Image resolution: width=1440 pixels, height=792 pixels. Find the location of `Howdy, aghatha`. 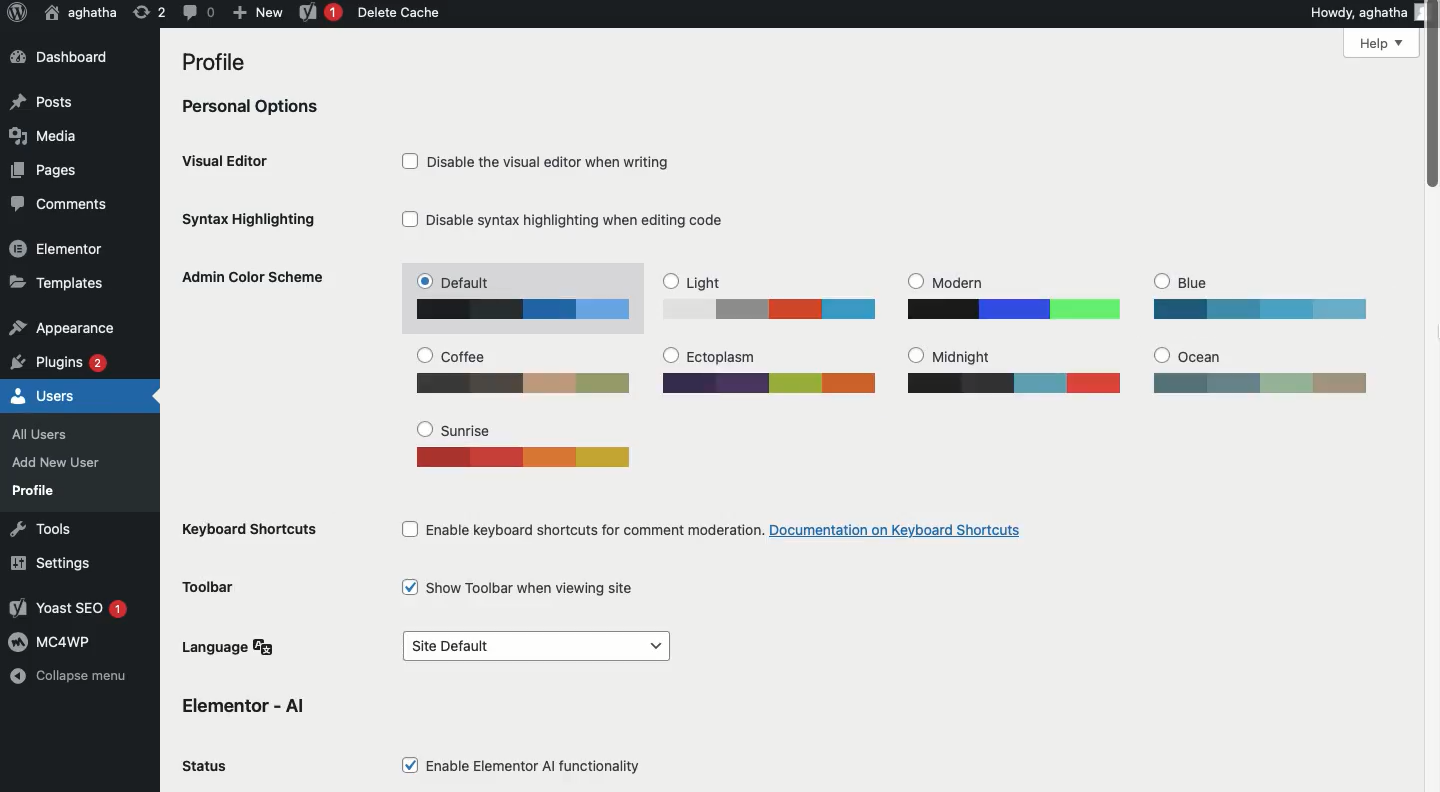

Howdy, aghatha is located at coordinates (1358, 12).